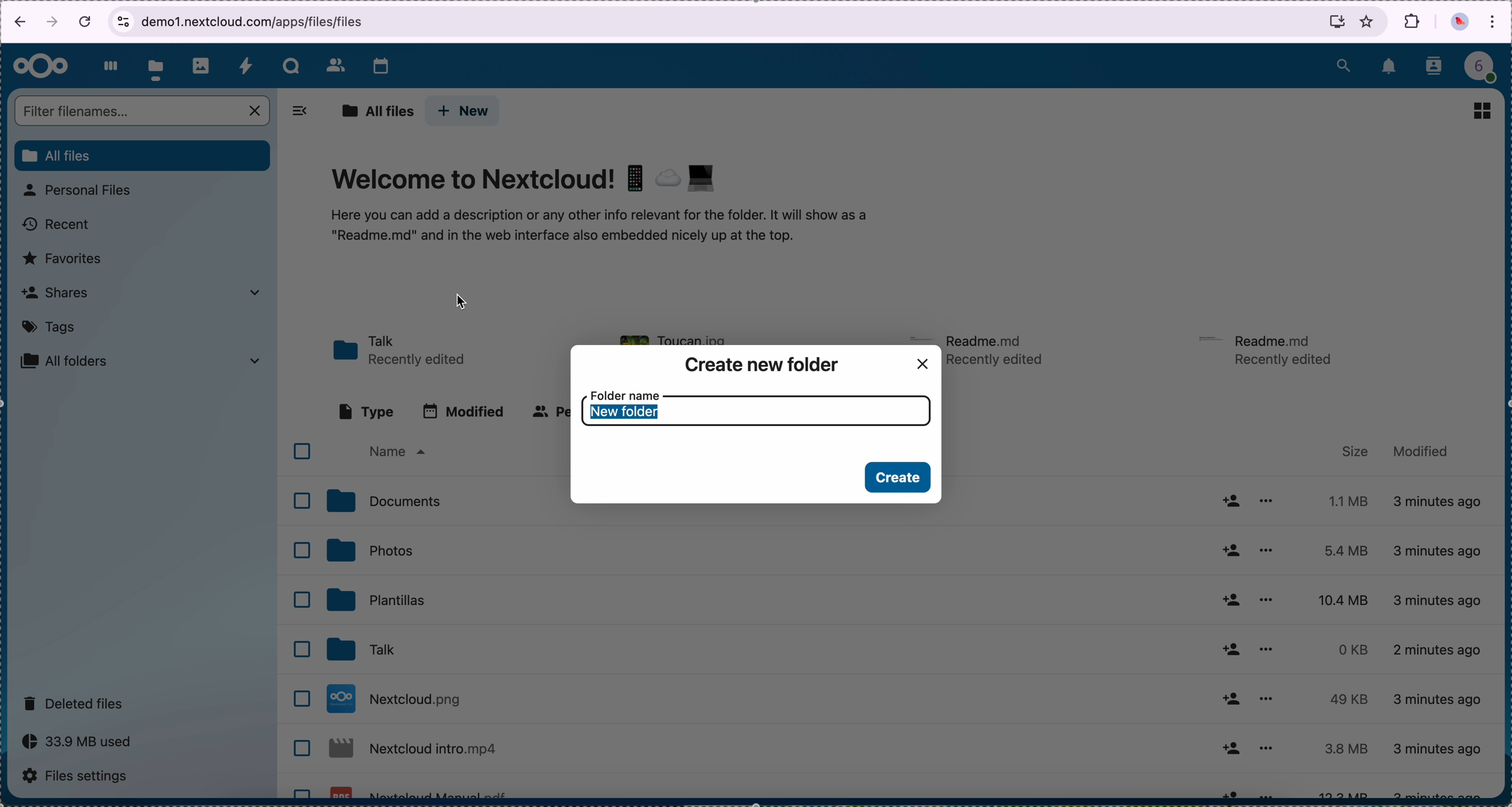 This screenshot has height=807, width=1512. What do you see at coordinates (1268, 650) in the screenshot?
I see `more options` at bounding box center [1268, 650].